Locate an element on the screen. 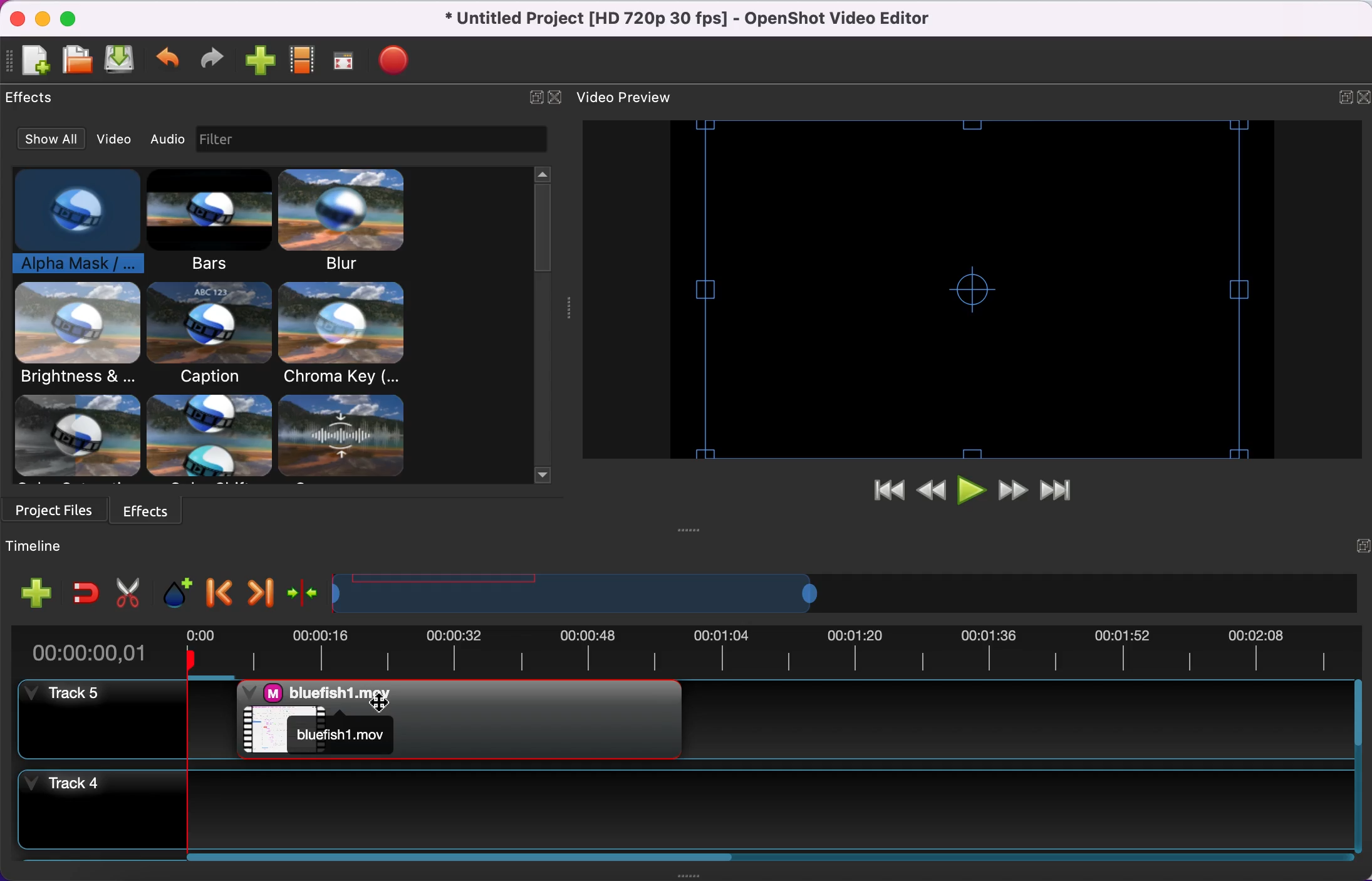 The width and height of the screenshot is (1372, 881). show all  is located at coordinates (51, 137).